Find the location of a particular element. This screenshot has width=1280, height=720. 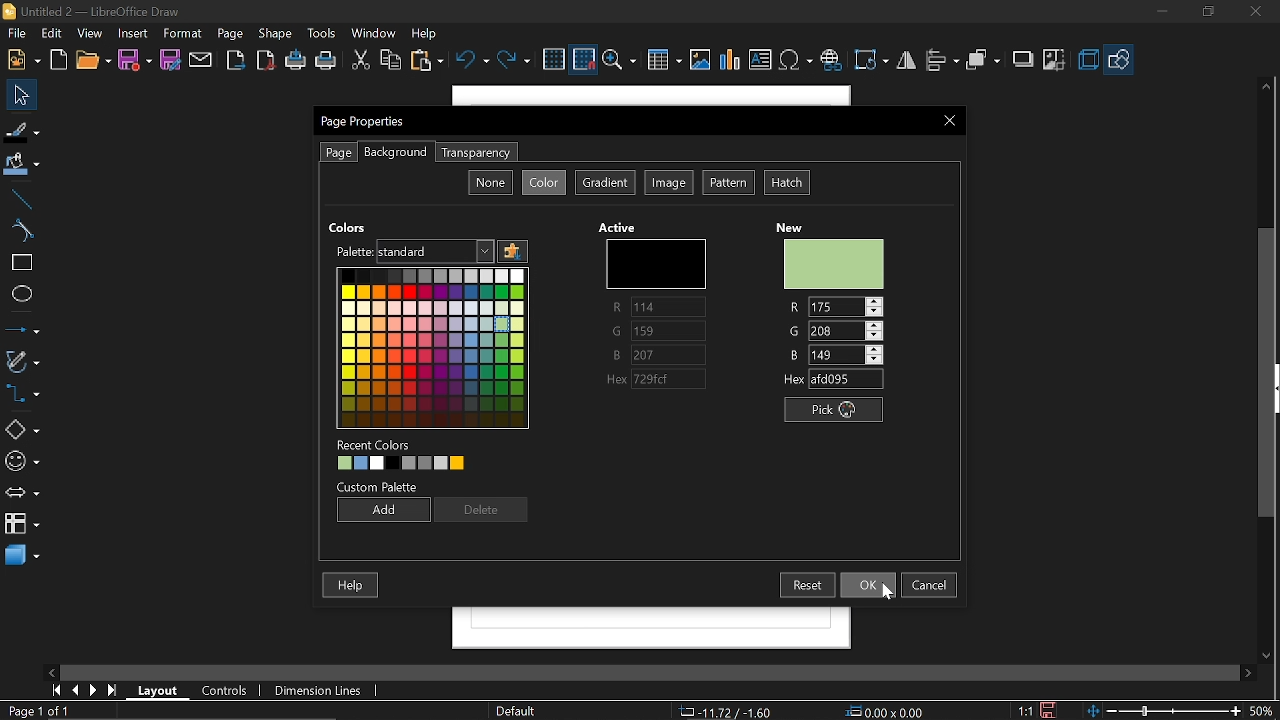

Custom Palette is located at coordinates (380, 487).